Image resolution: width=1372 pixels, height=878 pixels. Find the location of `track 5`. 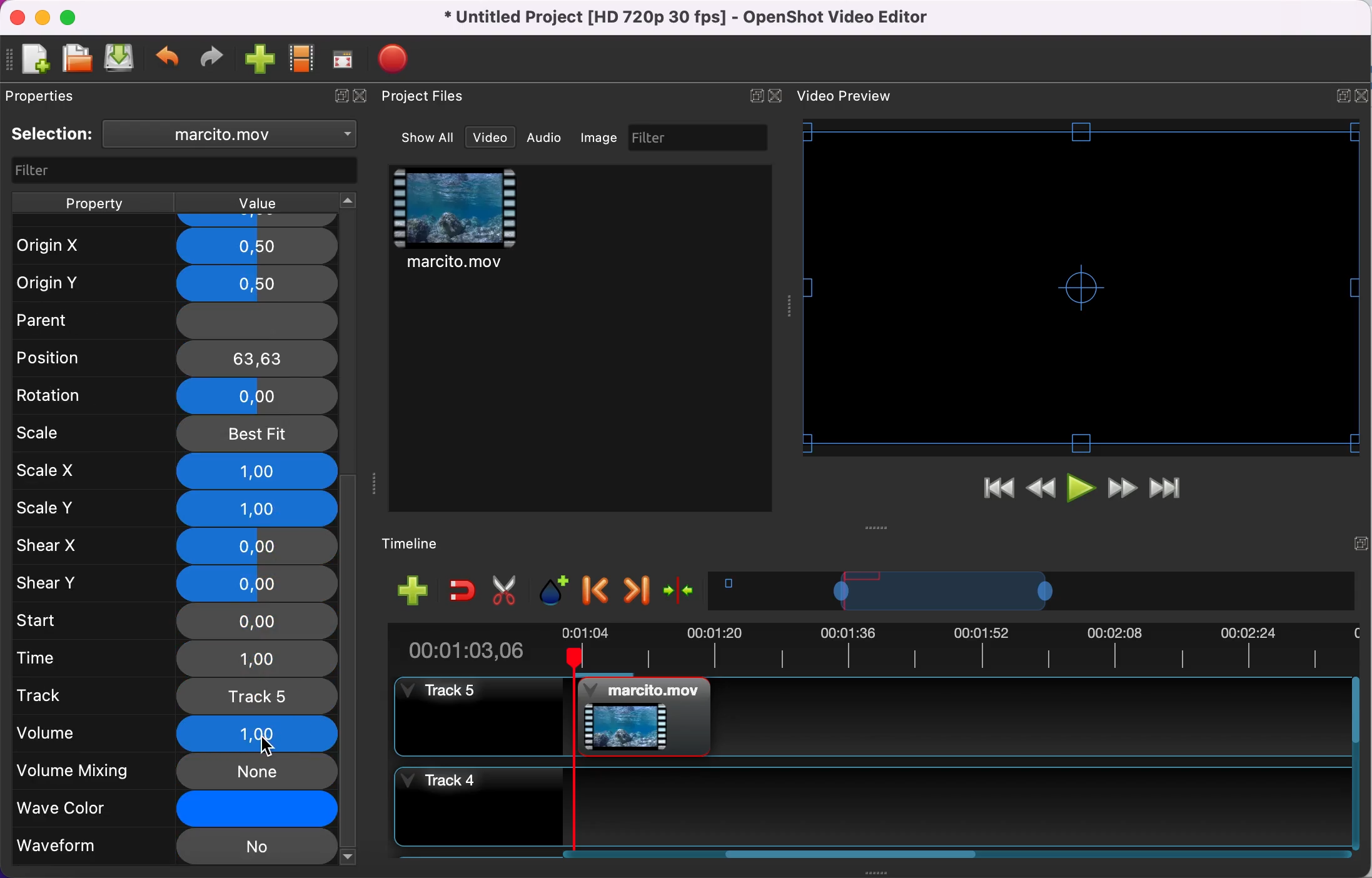

track 5 is located at coordinates (176, 695).